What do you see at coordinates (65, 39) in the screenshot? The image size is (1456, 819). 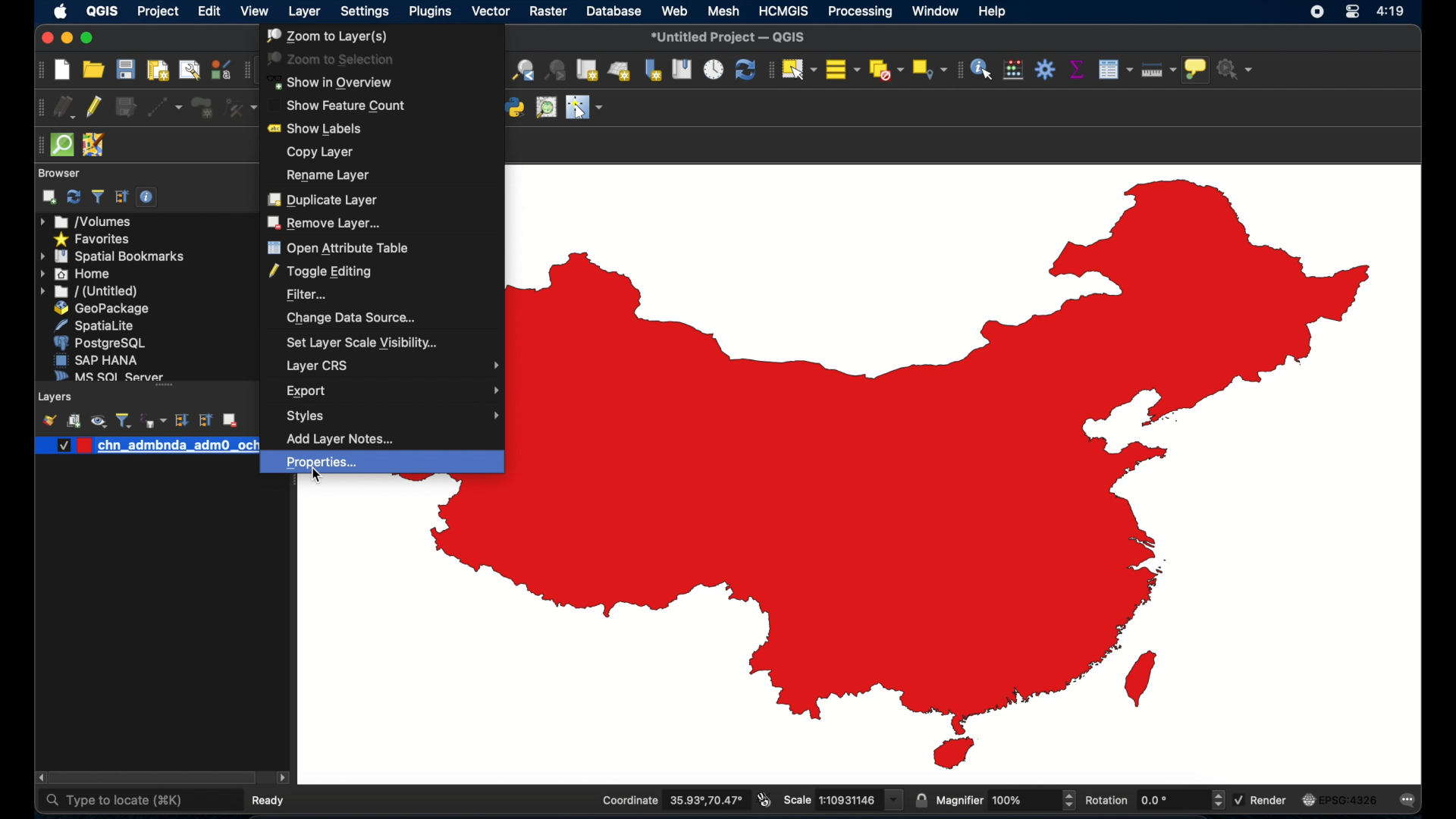 I see `minimize ` at bounding box center [65, 39].